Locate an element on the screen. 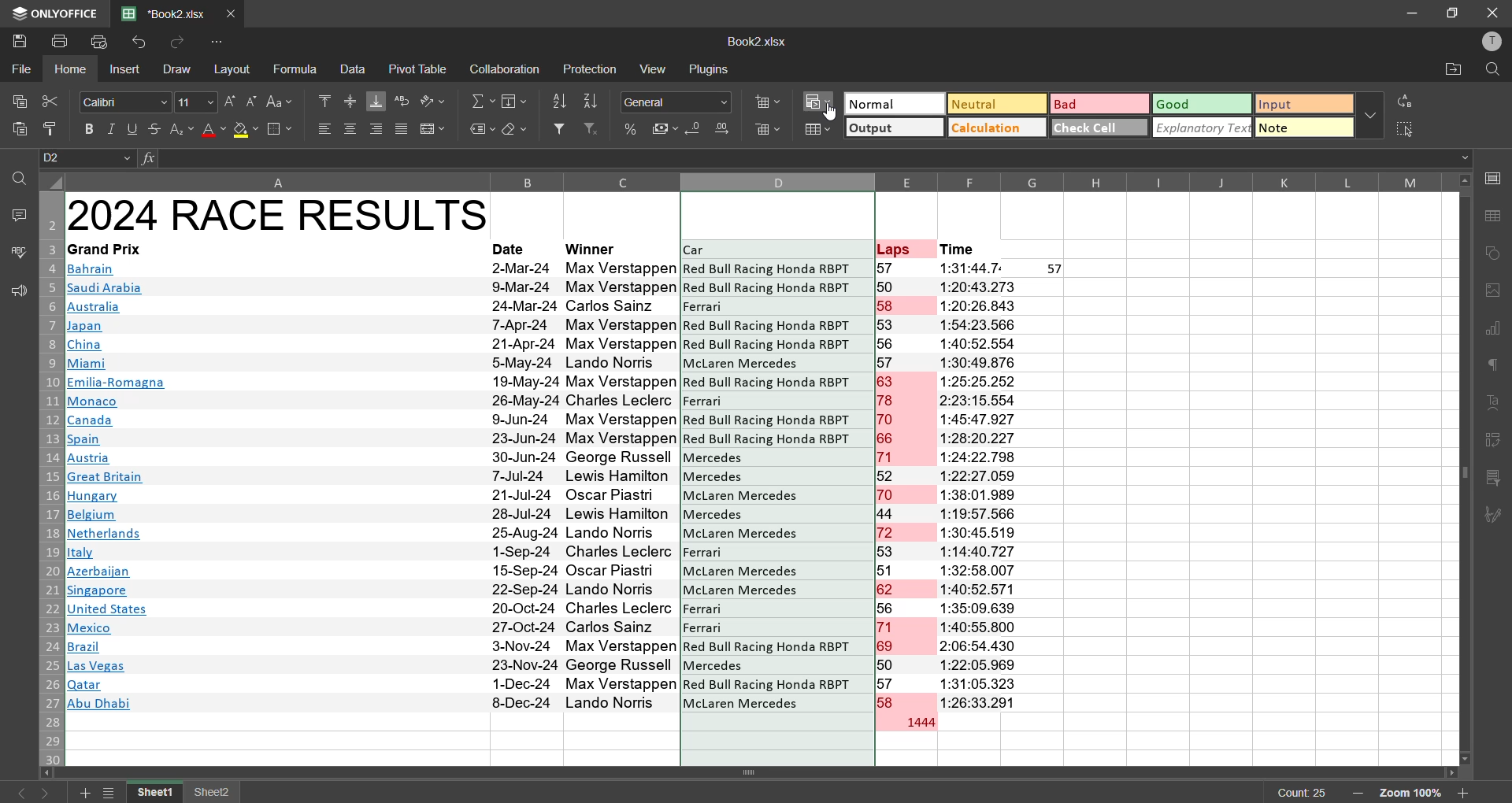 The width and height of the screenshot is (1512, 803). Racer’s name is located at coordinates (622, 487).